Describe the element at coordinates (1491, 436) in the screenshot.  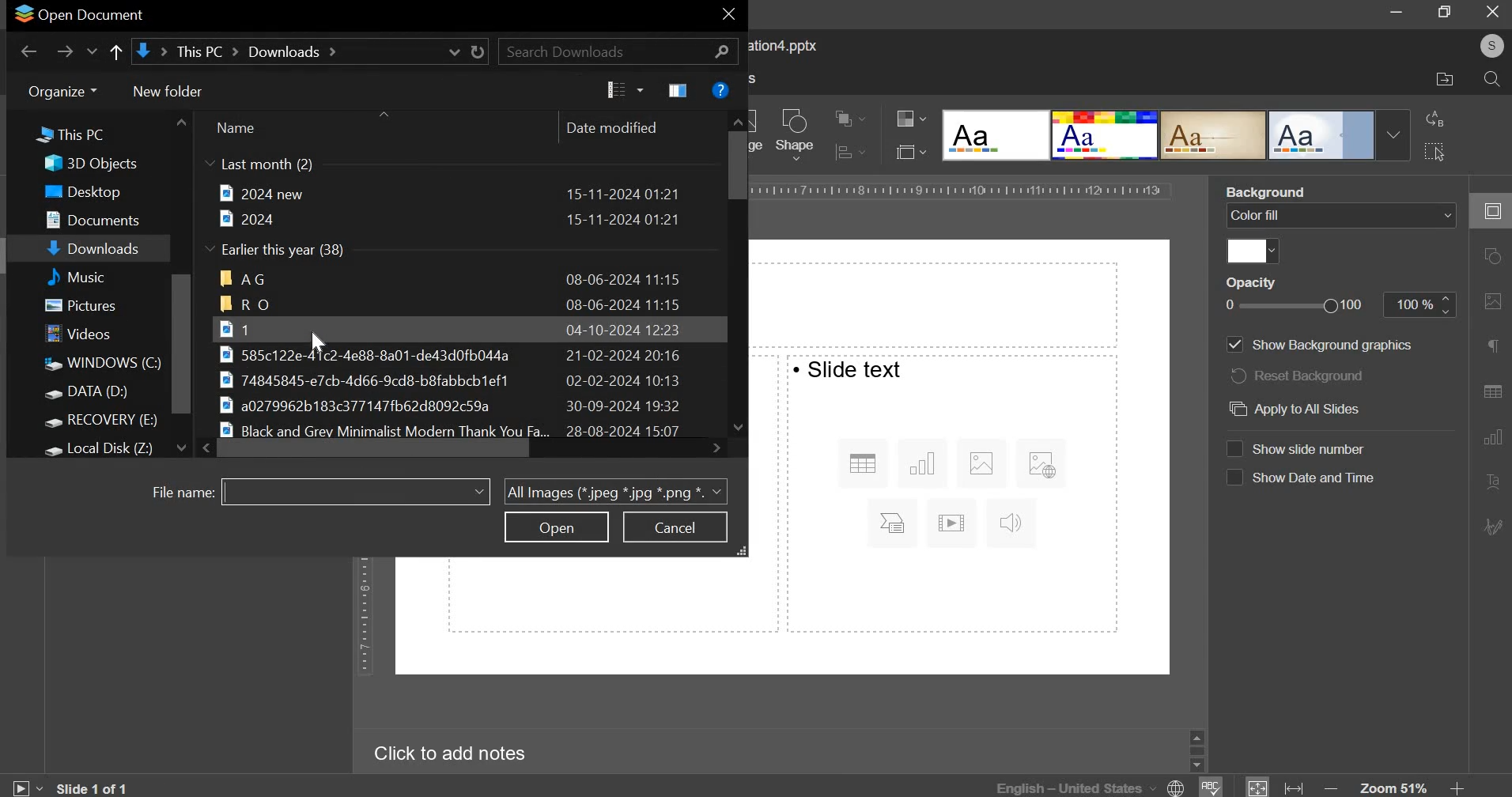
I see `graph setting` at that location.